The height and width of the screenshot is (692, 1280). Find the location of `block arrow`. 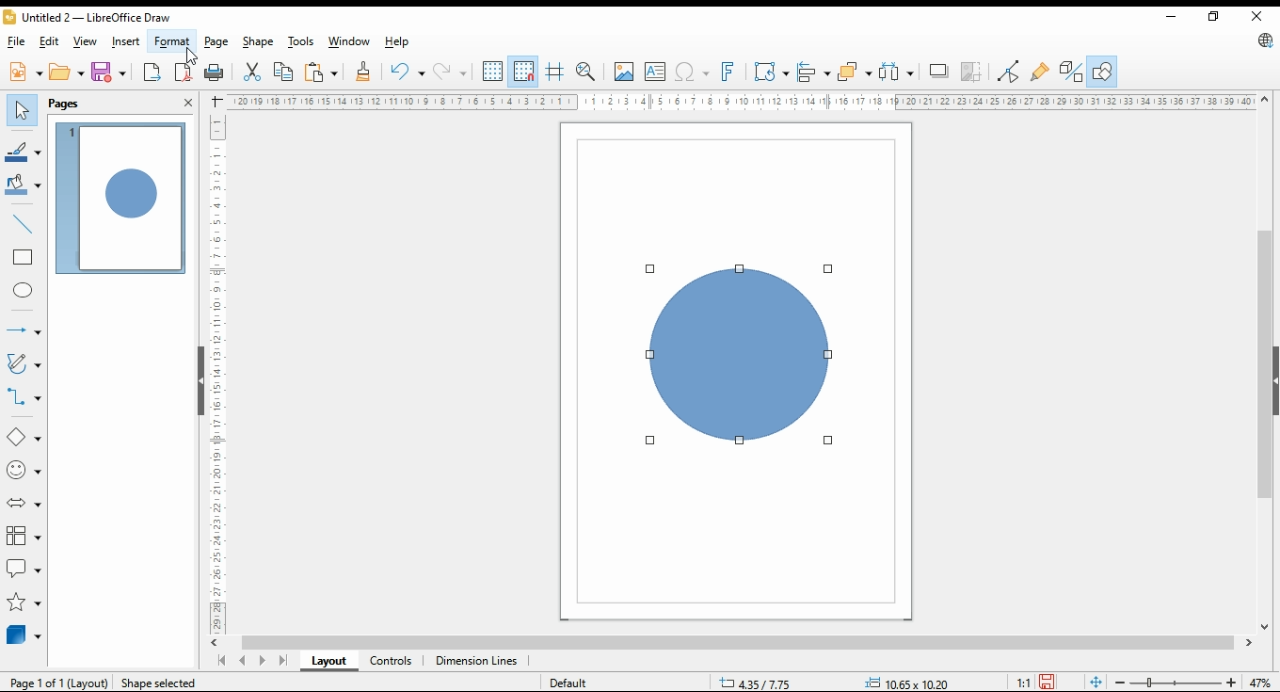

block arrow is located at coordinates (24, 505).